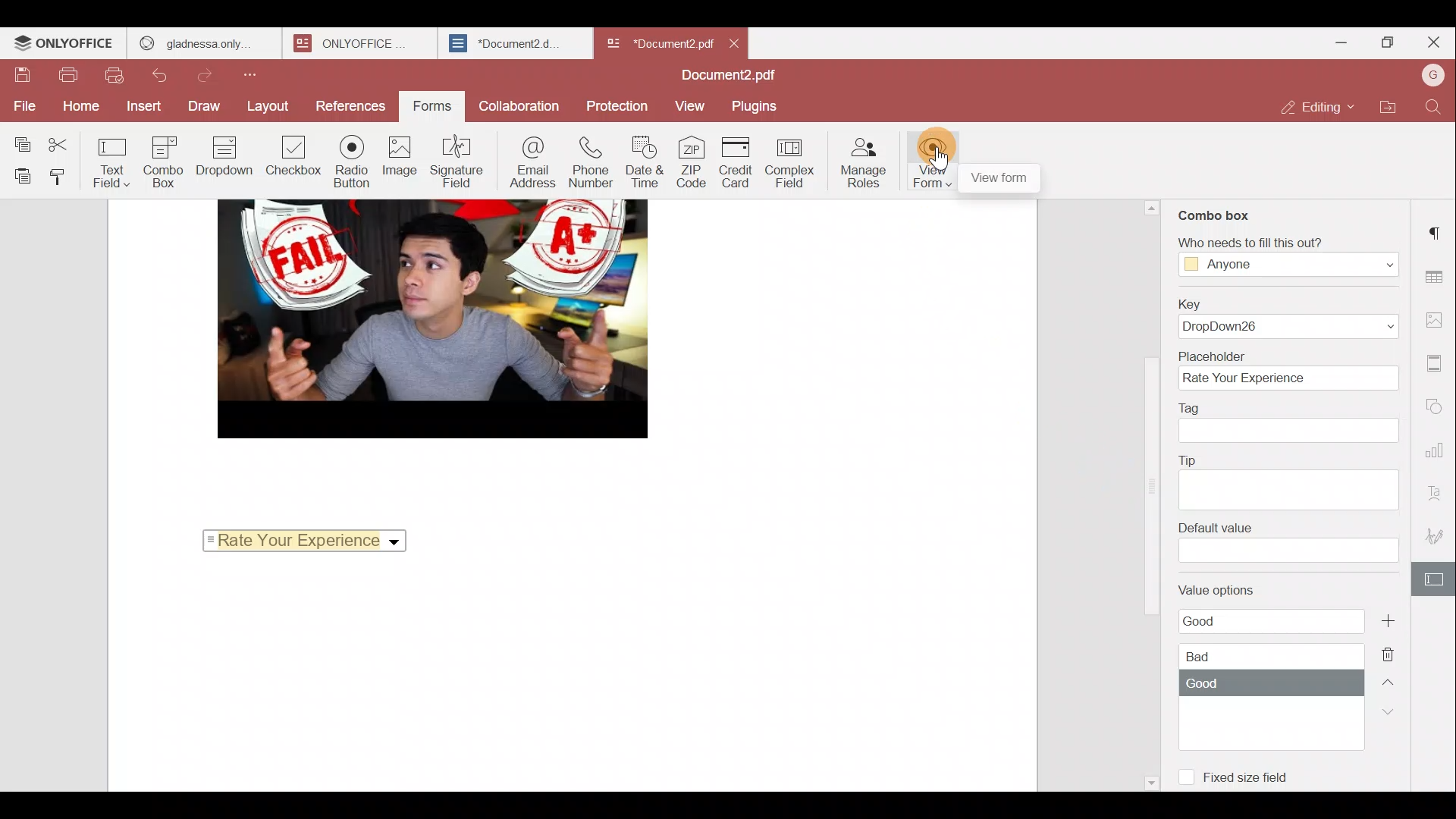 The image size is (1456, 819). I want to click on Undo, so click(164, 75).